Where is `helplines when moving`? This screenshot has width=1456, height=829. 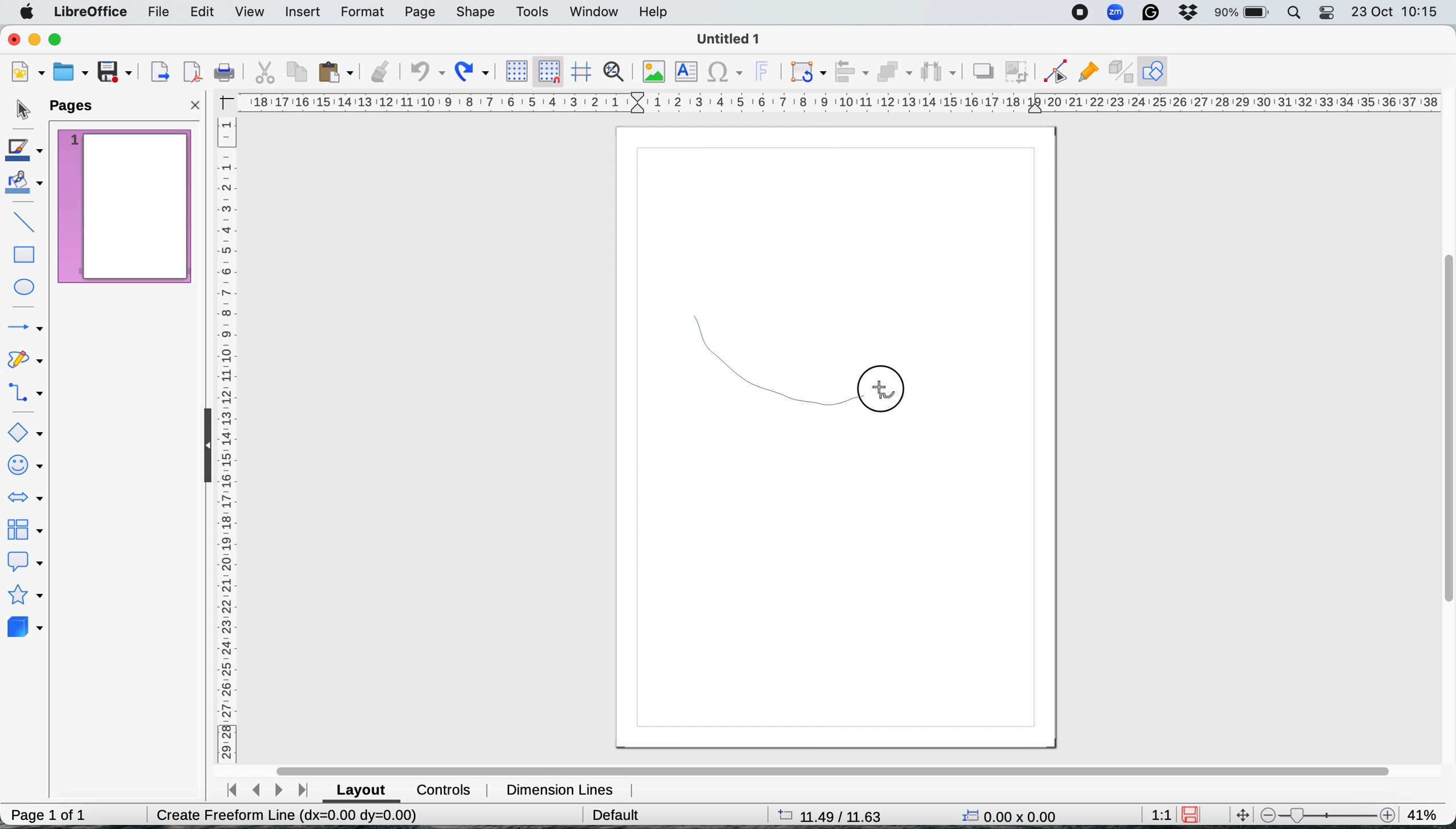 helplines when moving is located at coordinates (580, 72).